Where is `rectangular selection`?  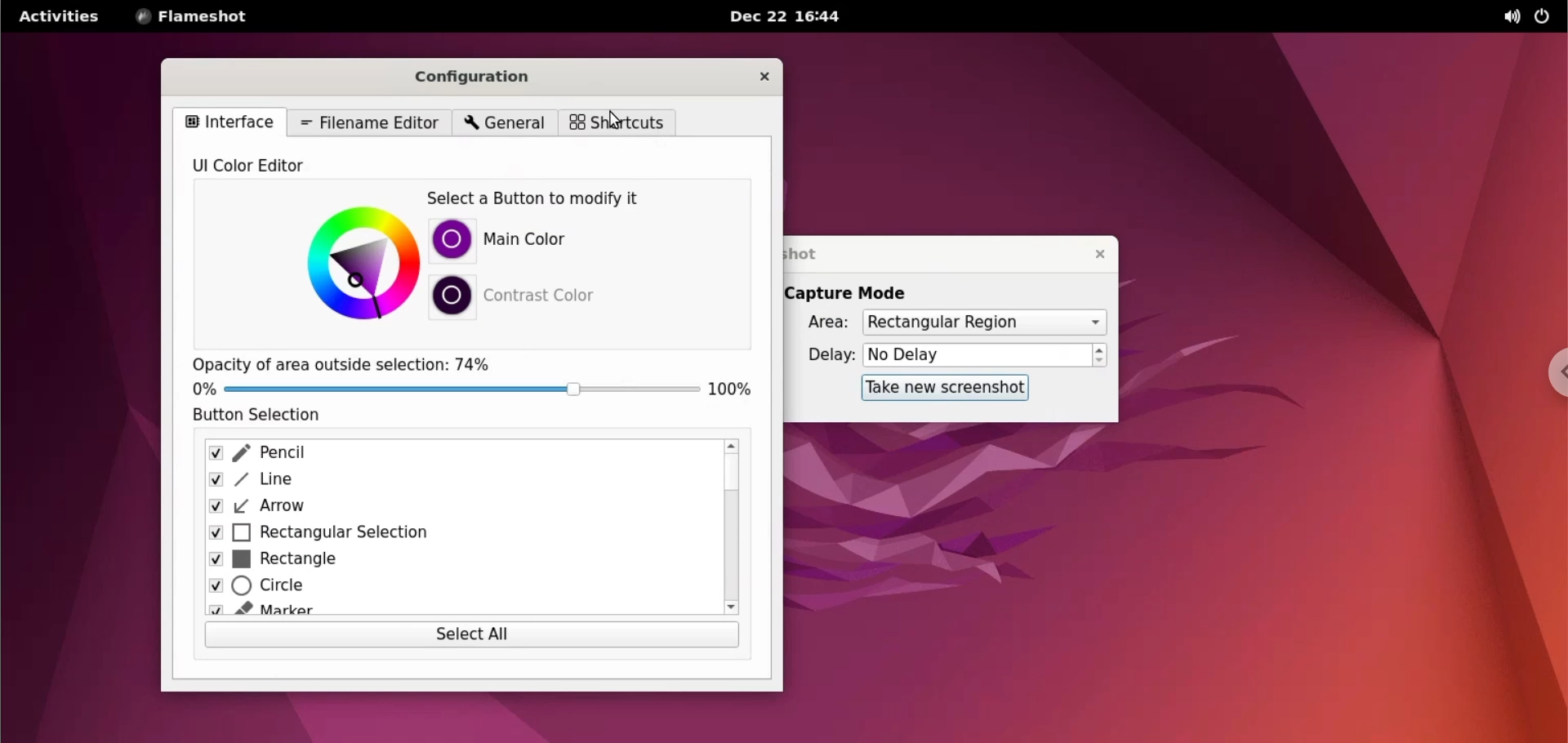
rectangular selection is located at coordinates (453, 534).